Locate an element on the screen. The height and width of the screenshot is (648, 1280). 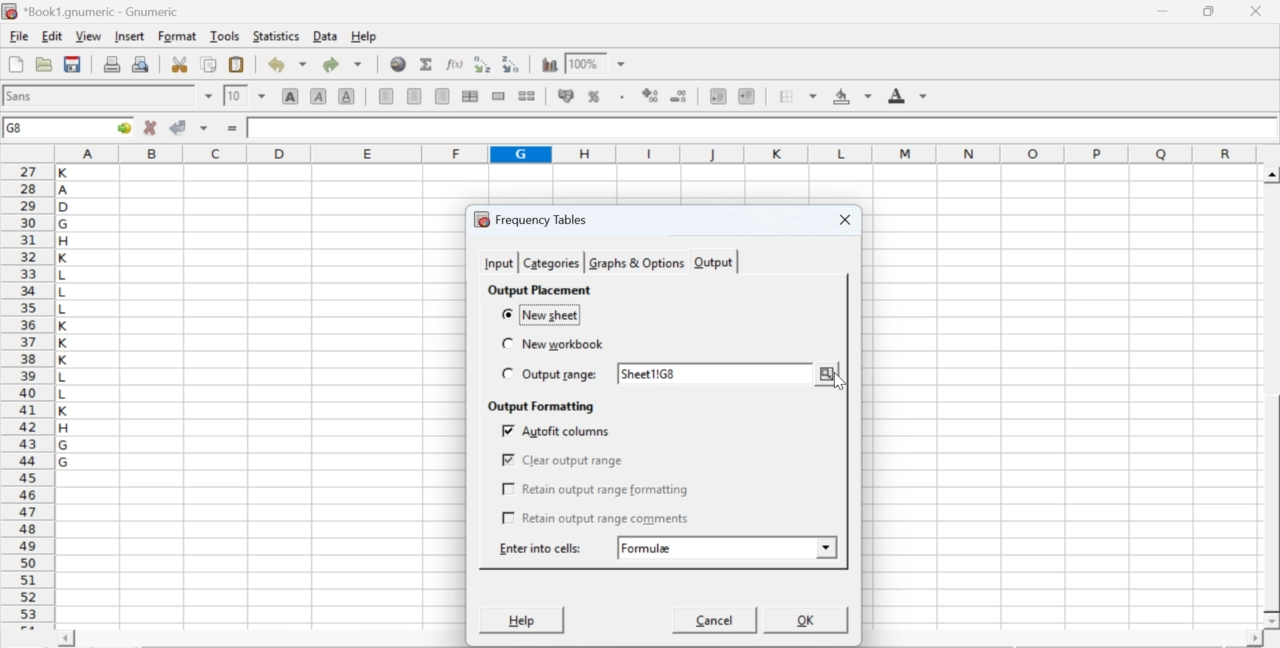
center horizontally is located at coordinates (470, 96).